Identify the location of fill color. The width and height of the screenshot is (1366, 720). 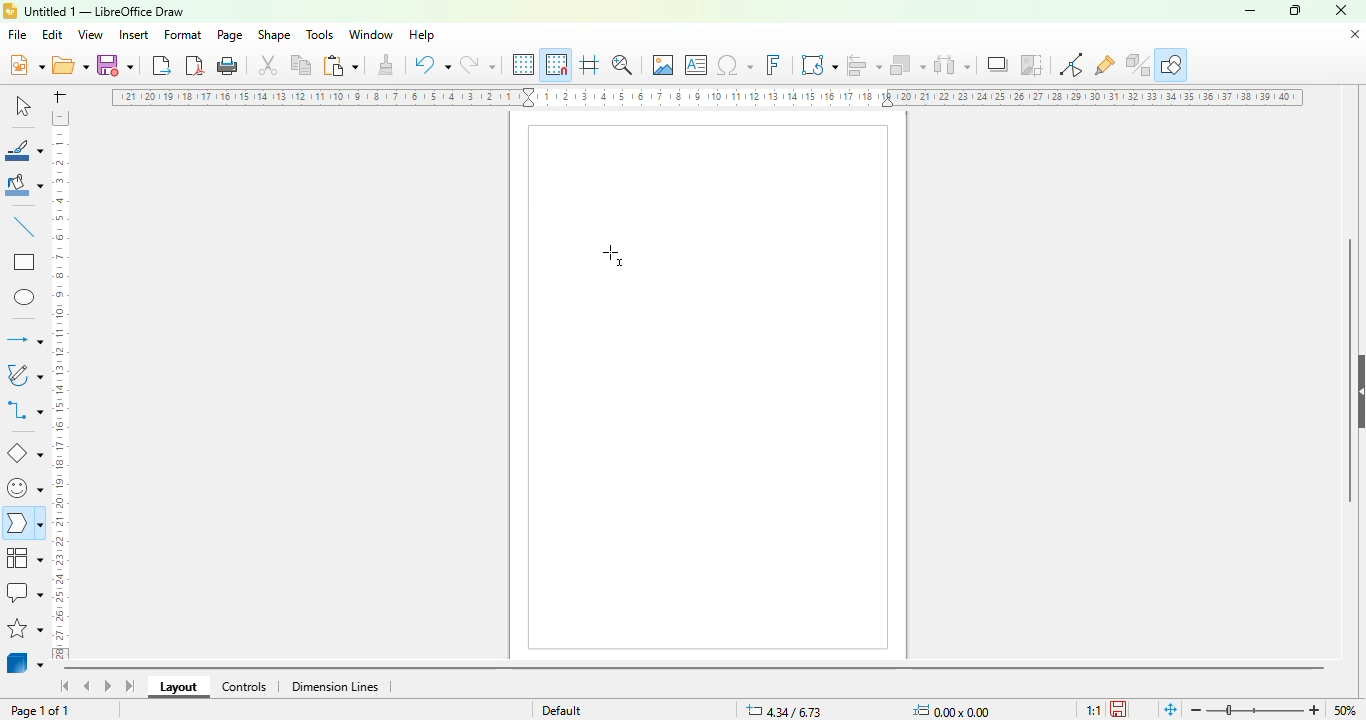
(25, 185).